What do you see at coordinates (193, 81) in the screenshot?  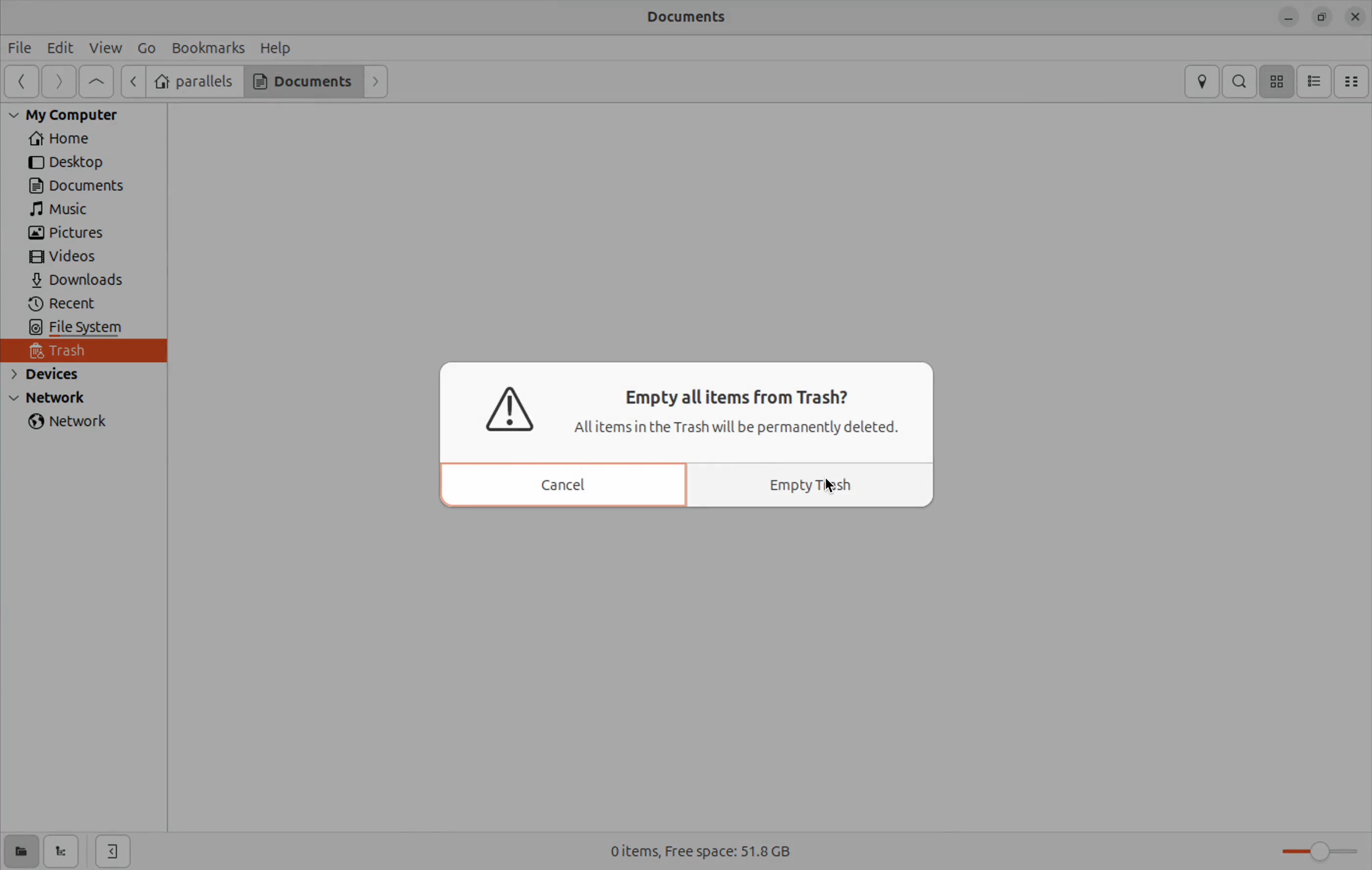 I see `parallels` at bounding box center [193, 81].